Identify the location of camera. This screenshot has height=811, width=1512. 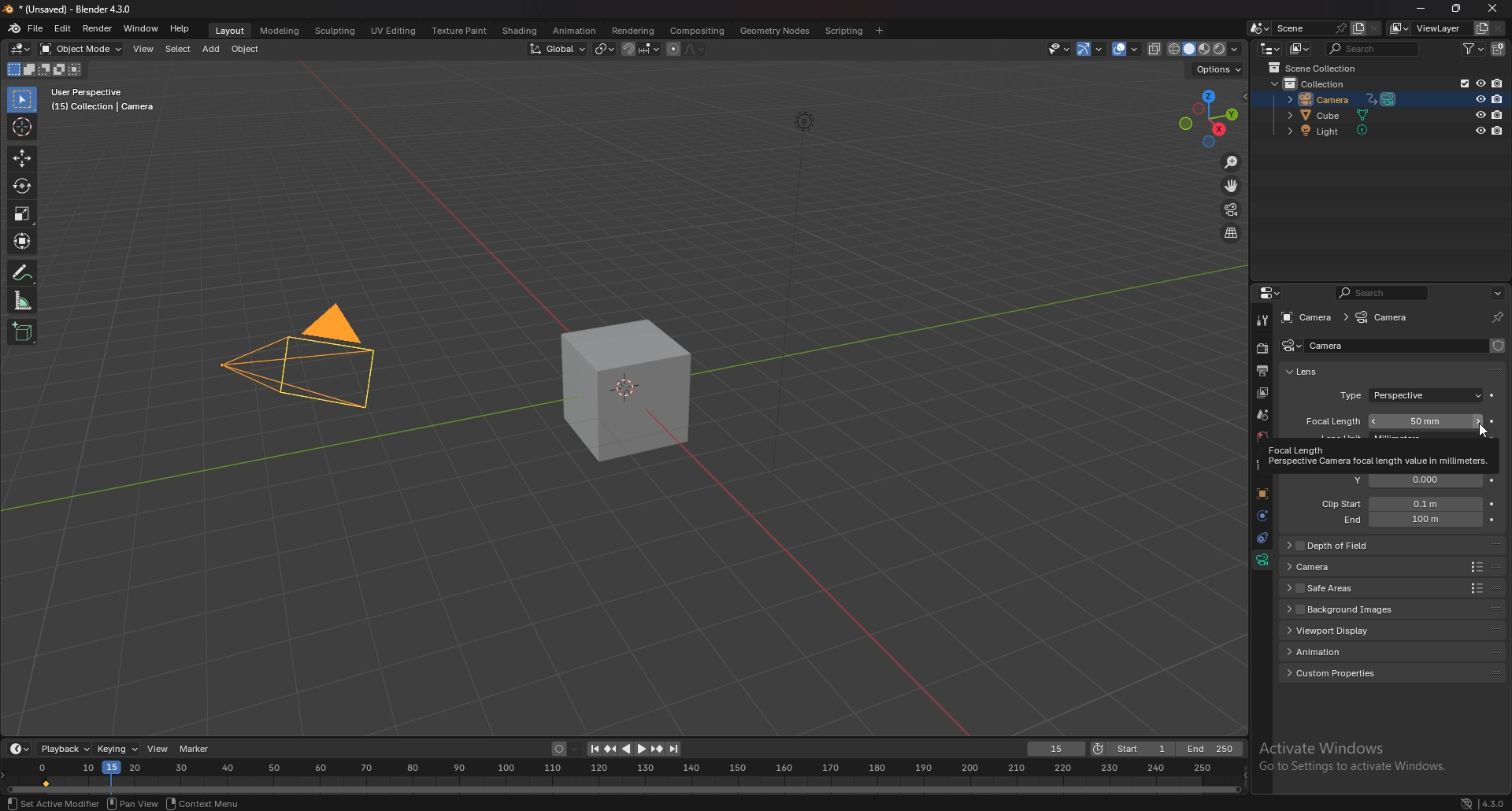
(298, 365).